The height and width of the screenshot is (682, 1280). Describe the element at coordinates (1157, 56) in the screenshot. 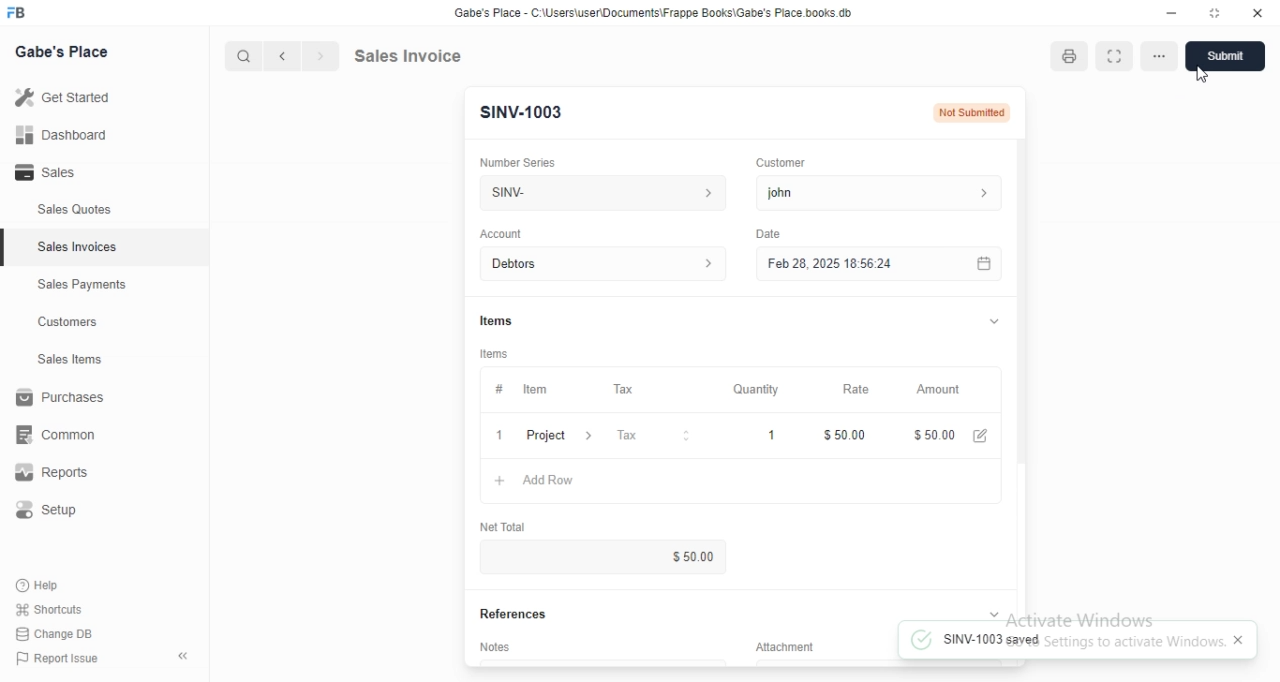

I see `more` at that location.